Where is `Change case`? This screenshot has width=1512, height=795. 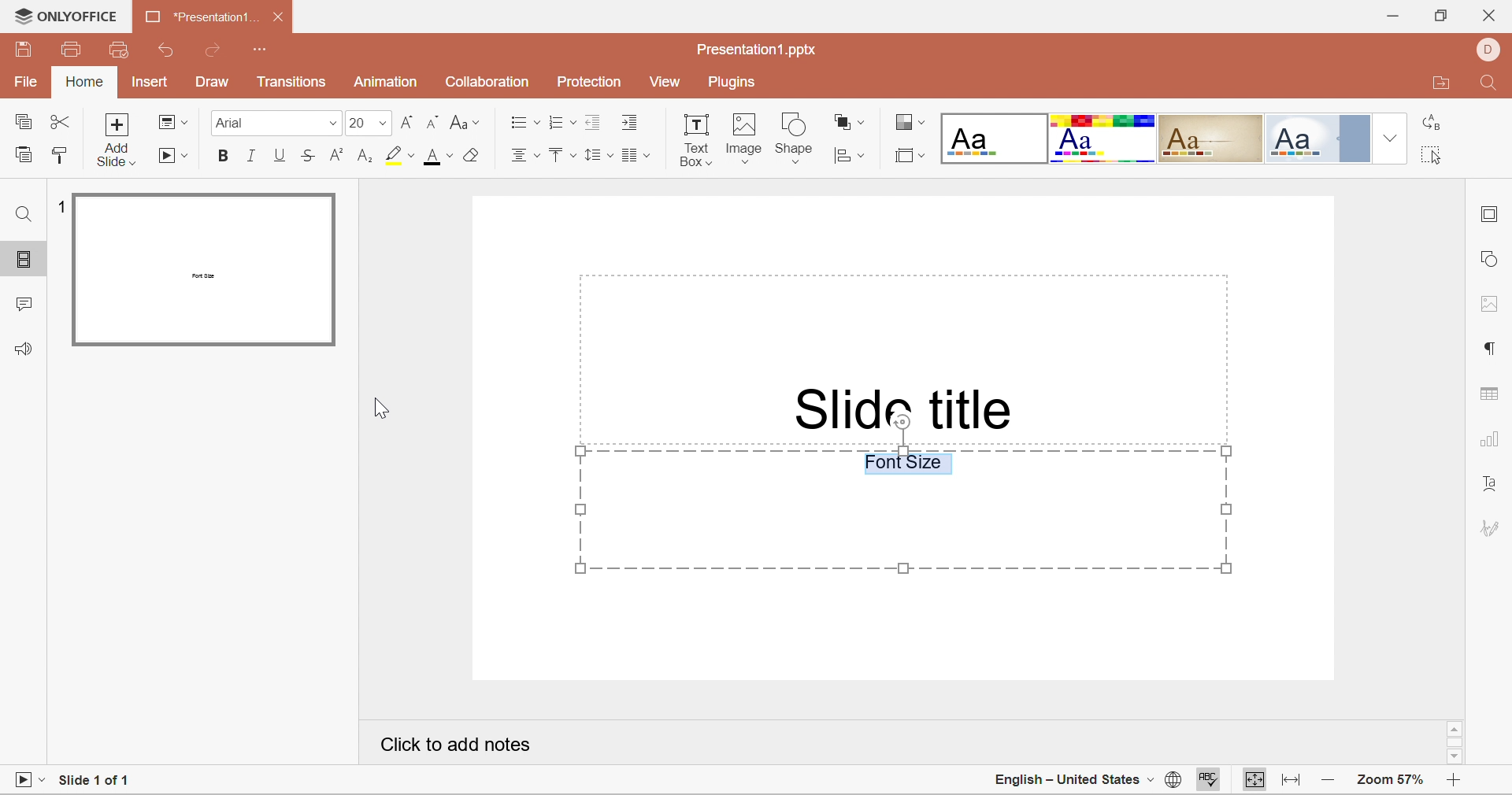 Change case is located at coordinates (465, 124).